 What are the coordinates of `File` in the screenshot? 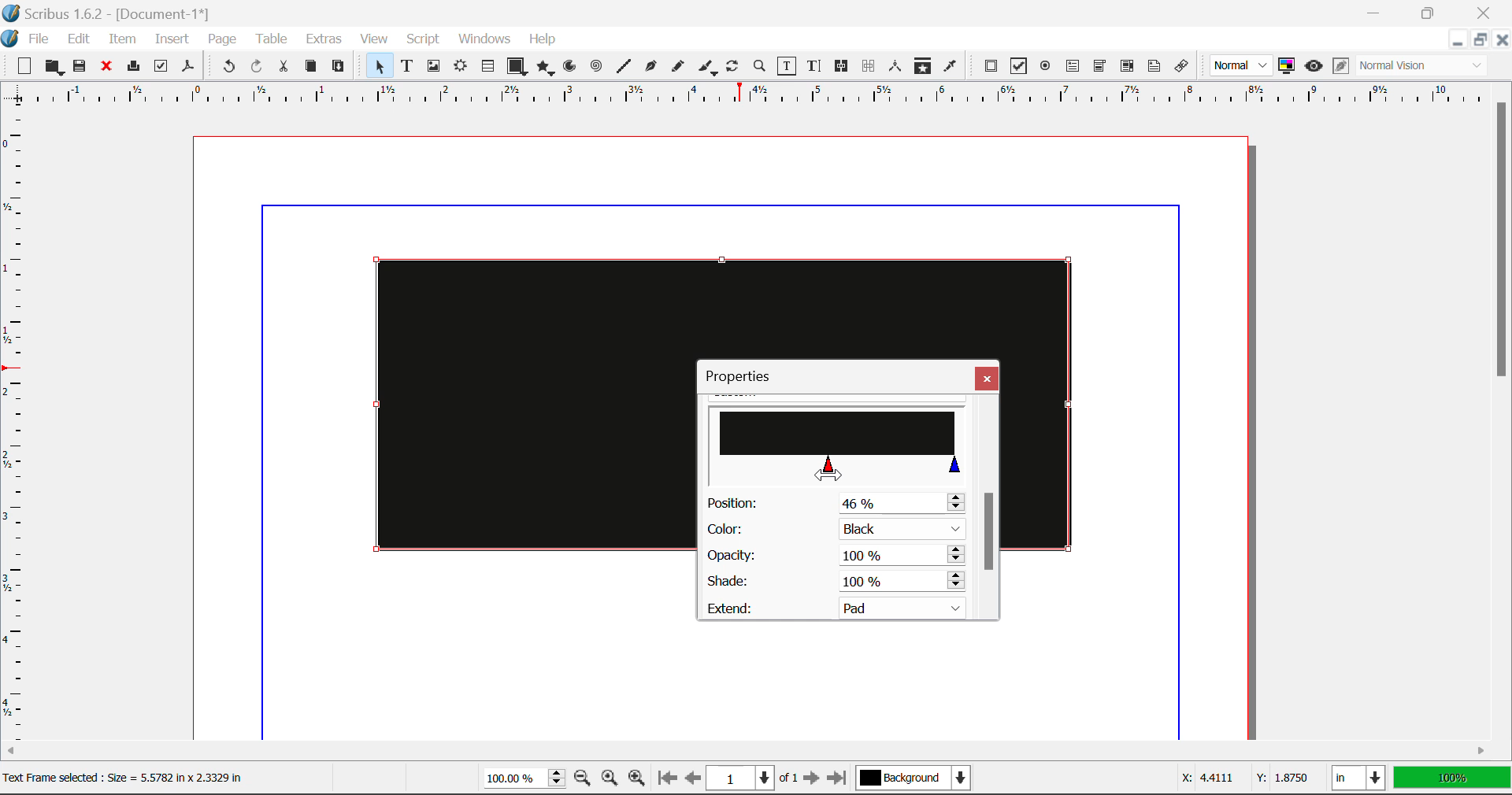 It's located at (42, 39).